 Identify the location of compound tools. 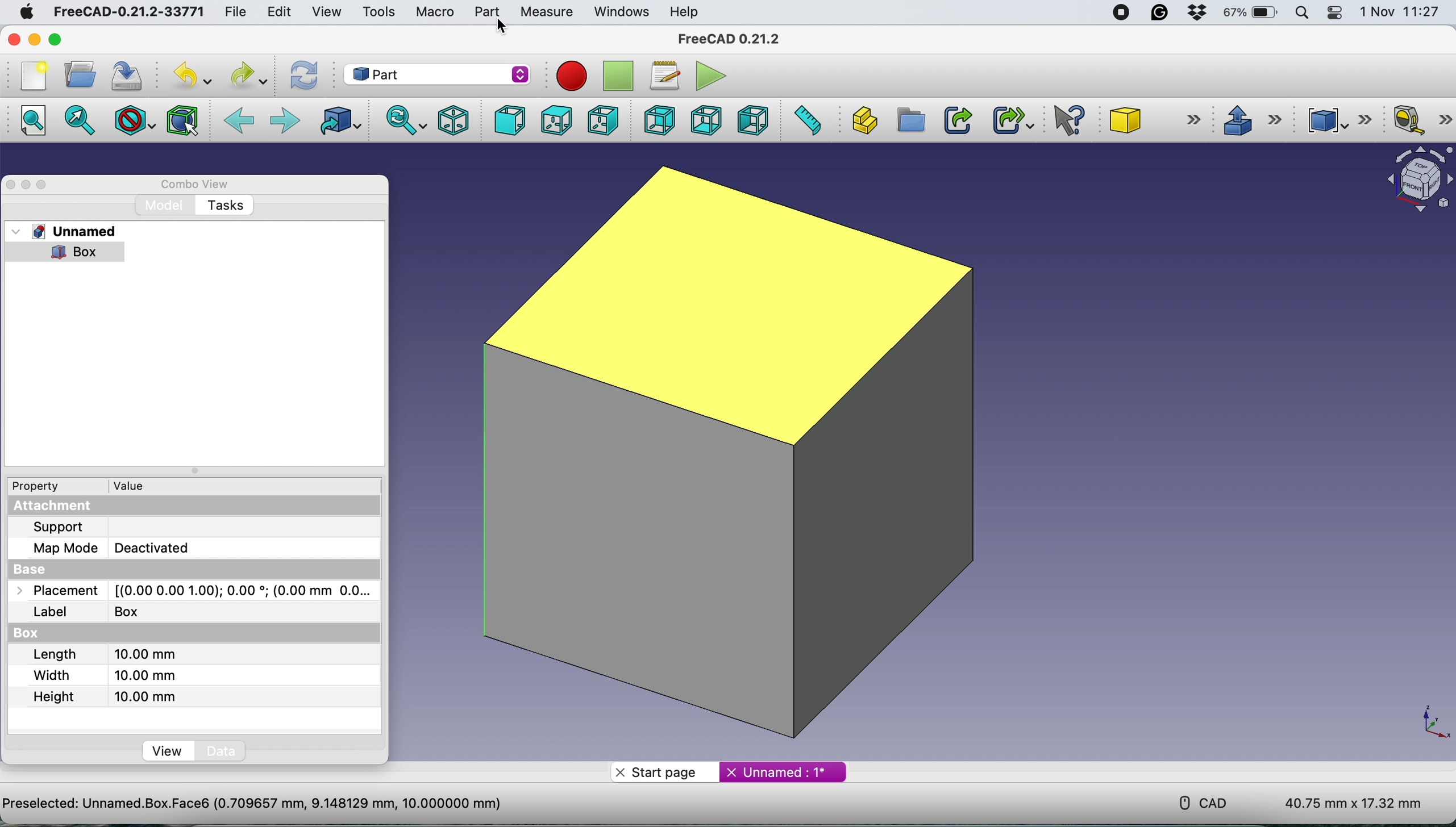
(1336, 120).